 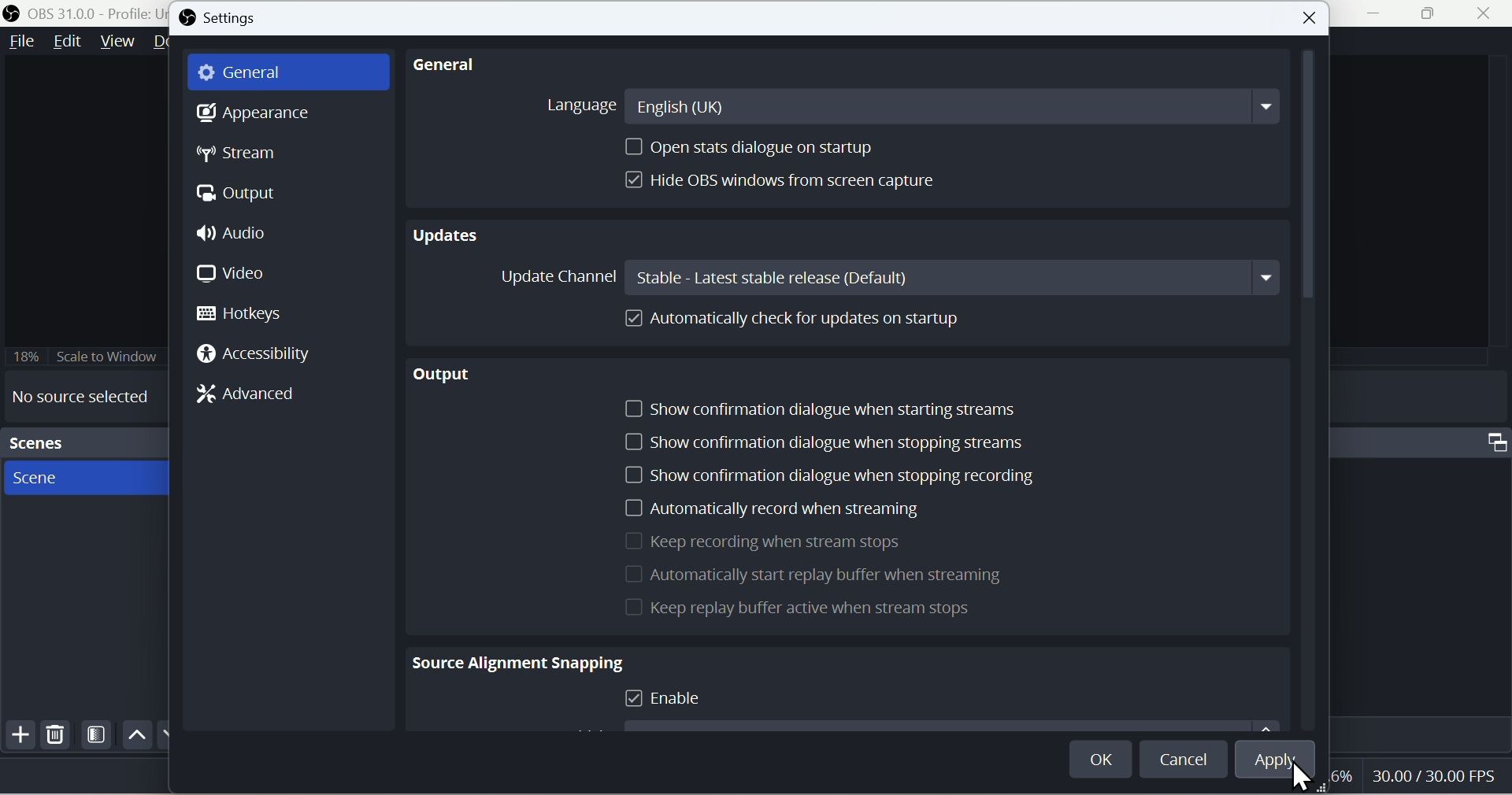 I want to click on General, so click(x=445, y=65).